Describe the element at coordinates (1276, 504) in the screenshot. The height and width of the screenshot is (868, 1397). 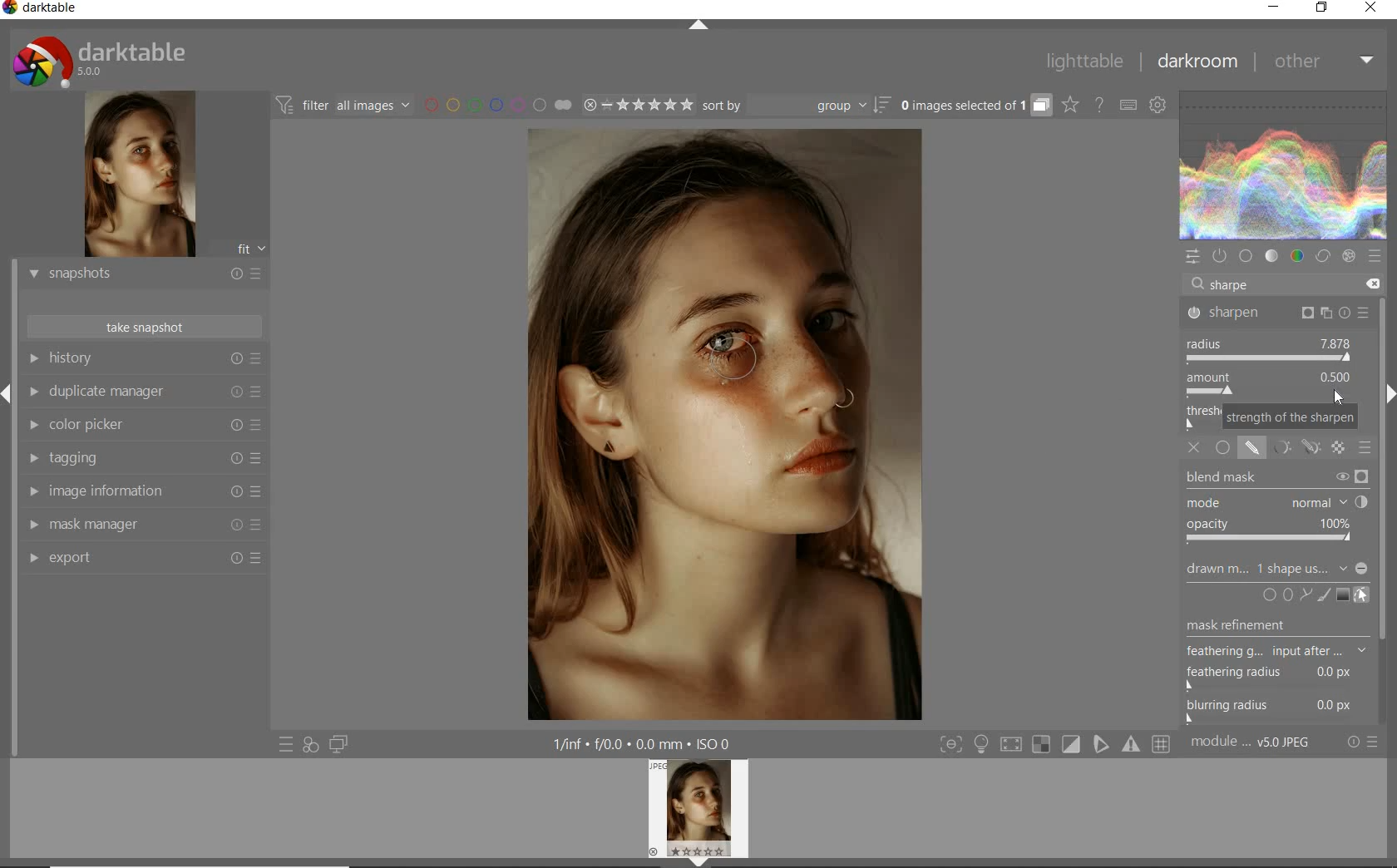
I see `MODE` at that location.